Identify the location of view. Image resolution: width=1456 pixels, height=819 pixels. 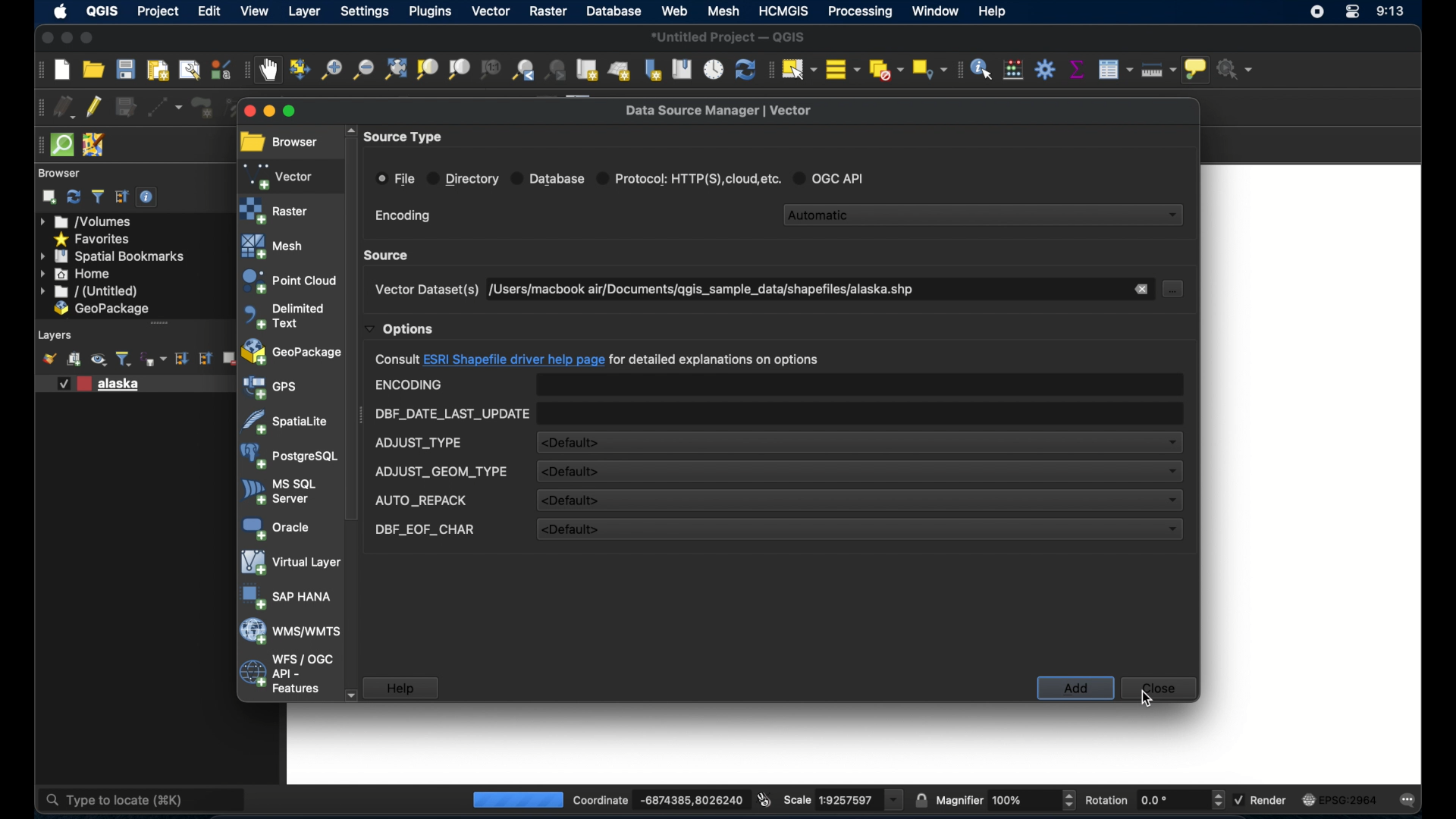
(256, 11).